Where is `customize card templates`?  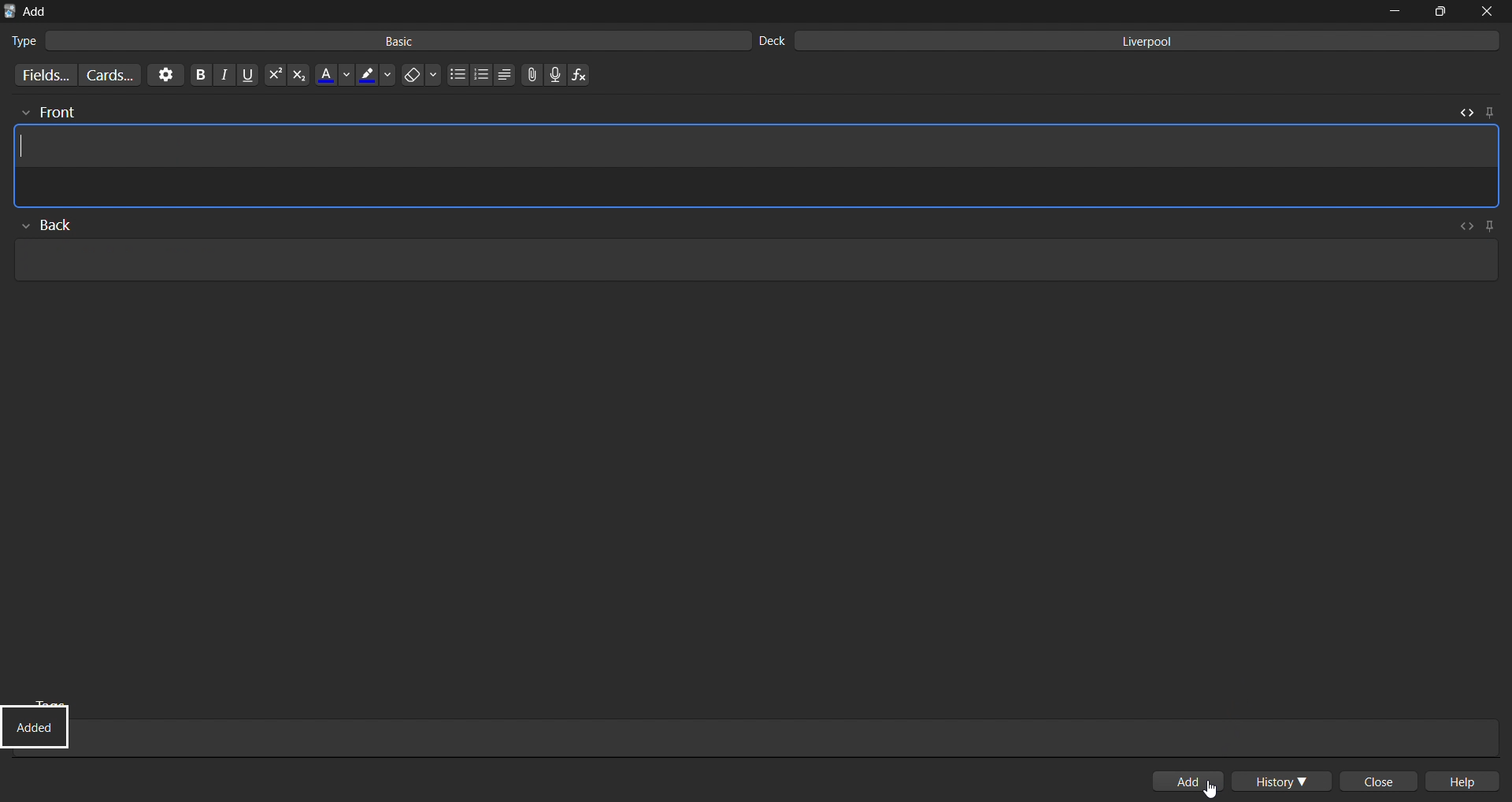 customize card templates is located at coordinates (109, 74).